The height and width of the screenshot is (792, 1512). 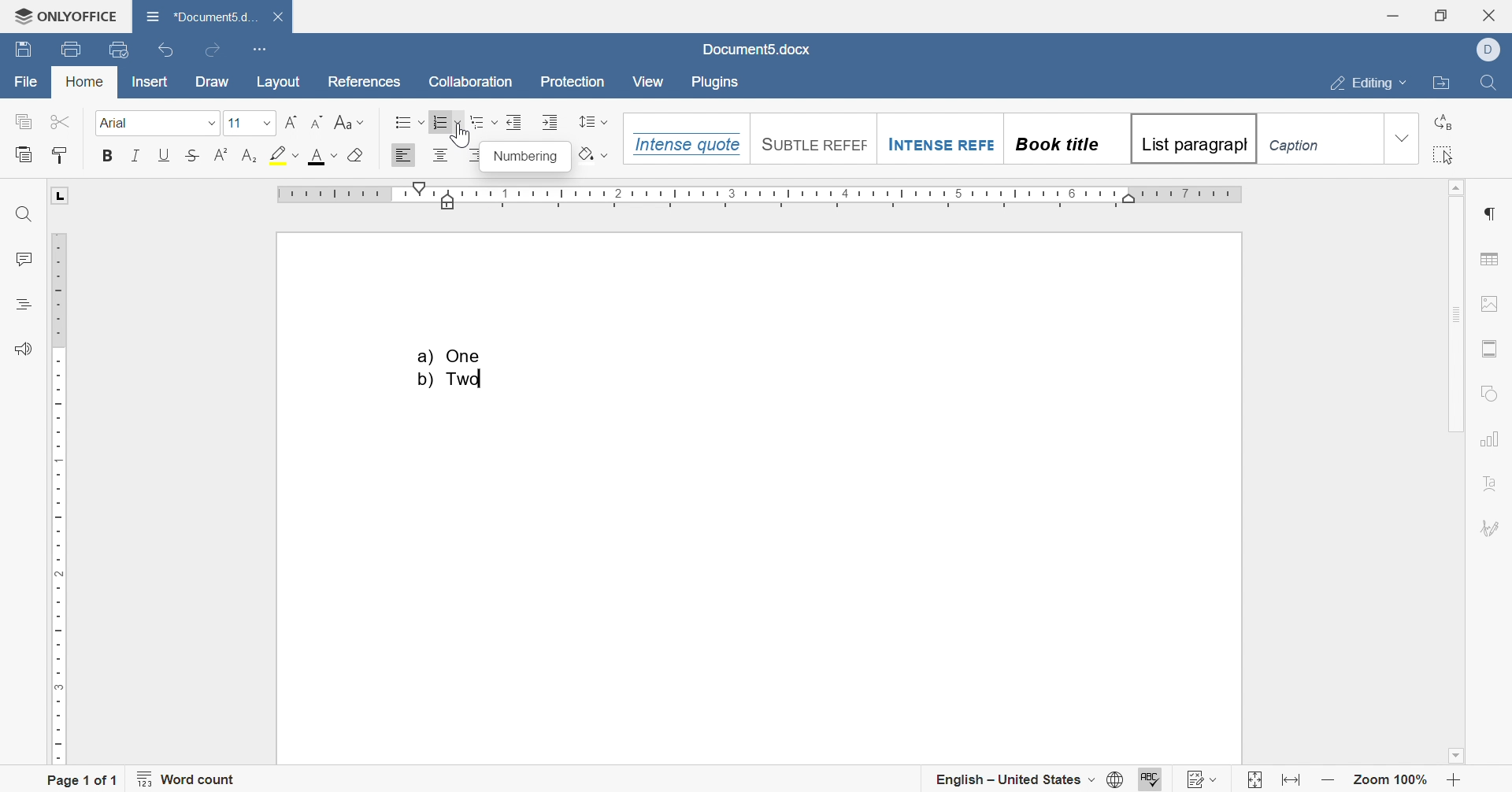 What do you see at coordinates (1488, 50) in the screenshot?
I see `Dell` at bounding box center [1488, 50].